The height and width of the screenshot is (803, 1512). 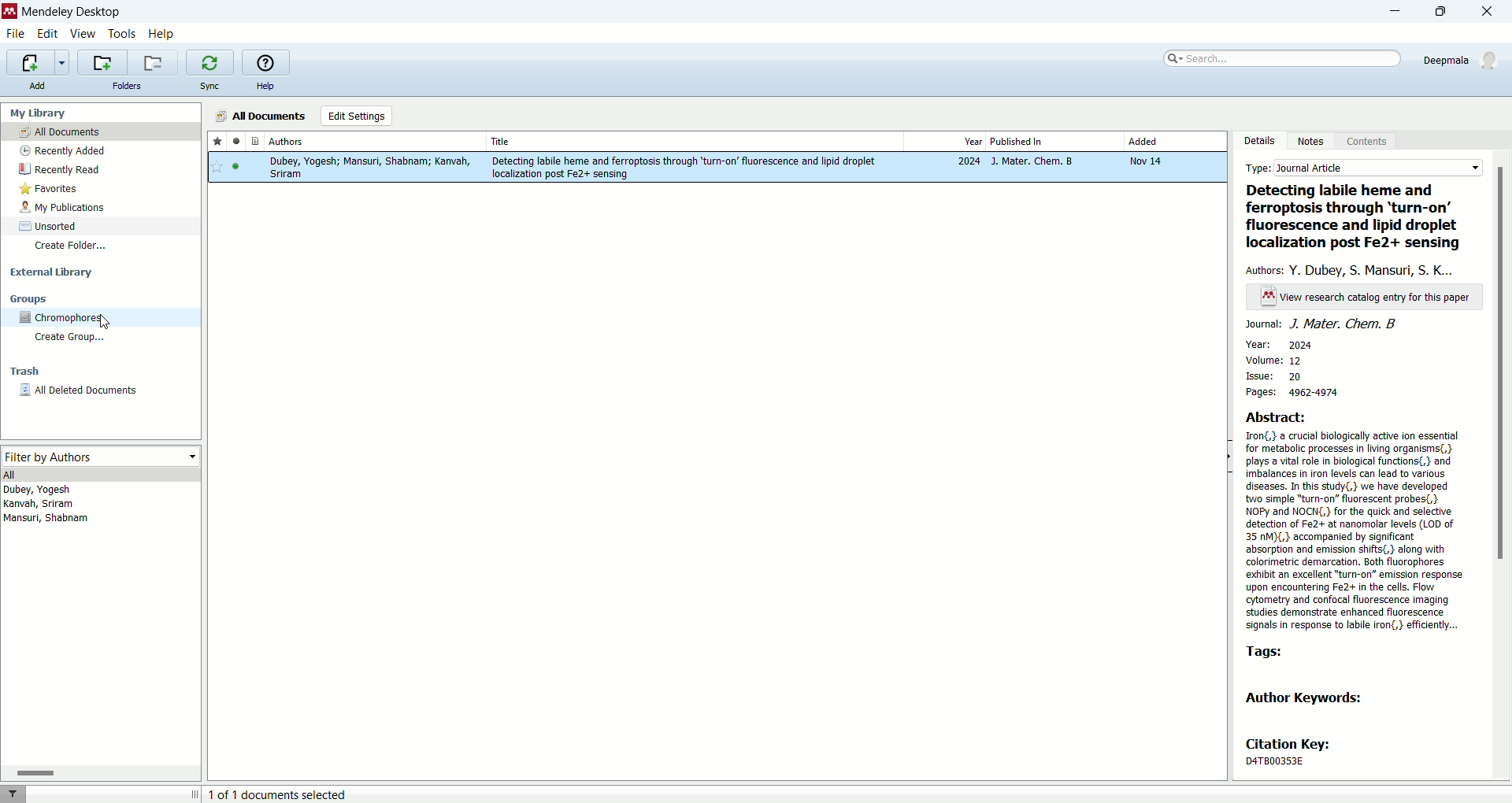 What do you see at coordinates (209, 88) in the screenshot?
I see `sync` at bounding box center [209, 88].